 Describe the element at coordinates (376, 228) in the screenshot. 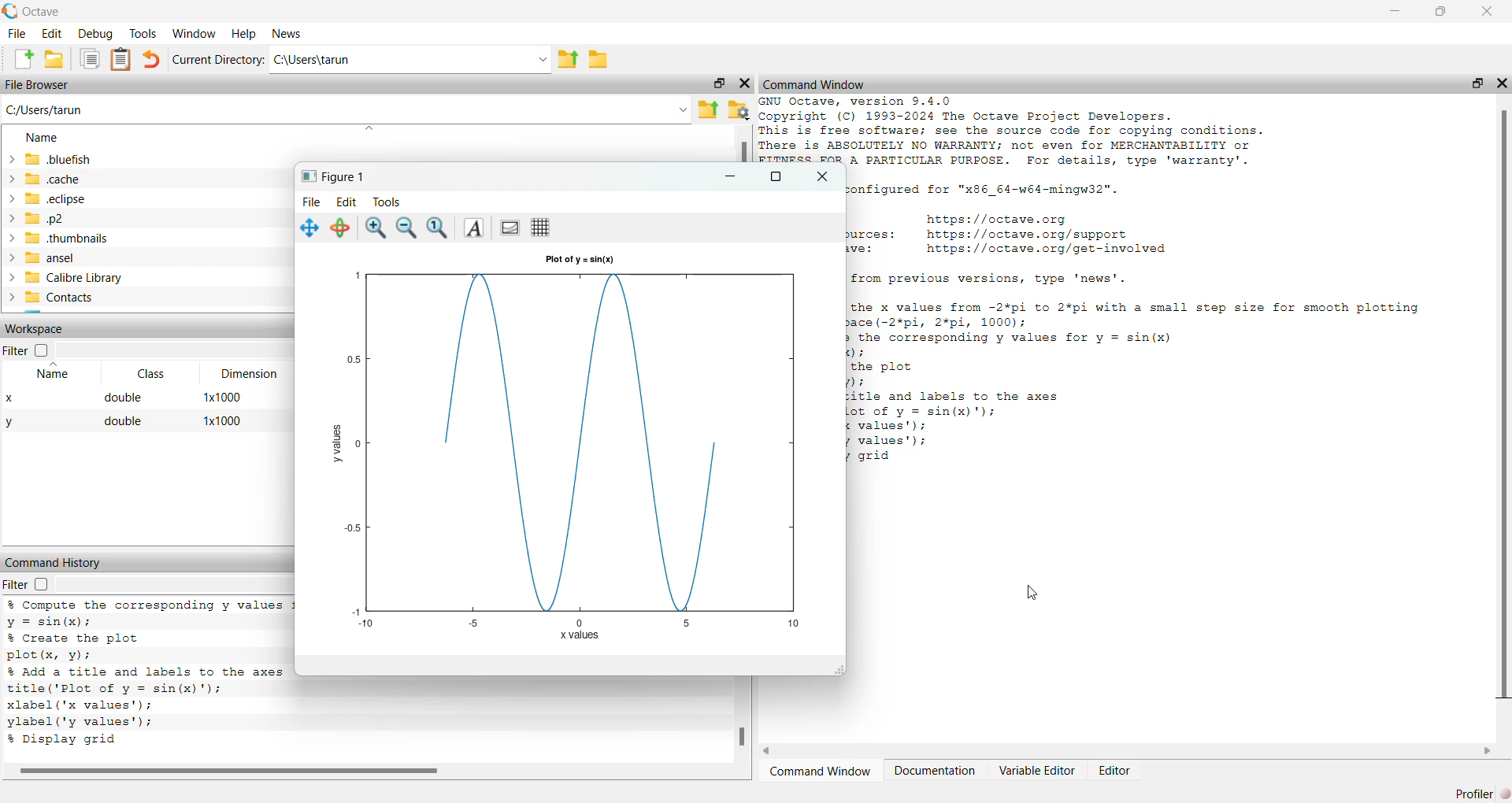

I see `zoom in` at that location.